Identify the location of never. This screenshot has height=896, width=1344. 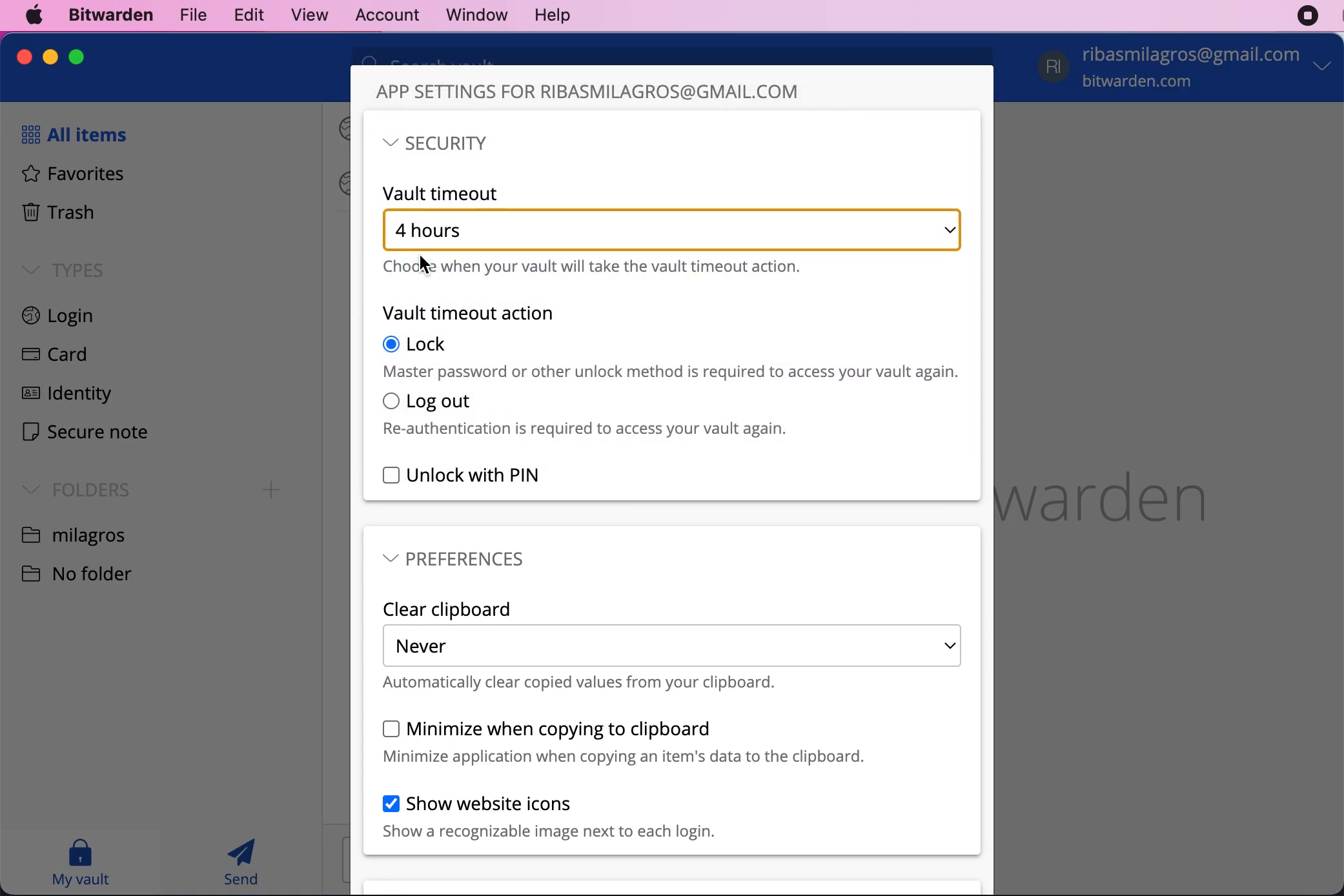
(672, 646).